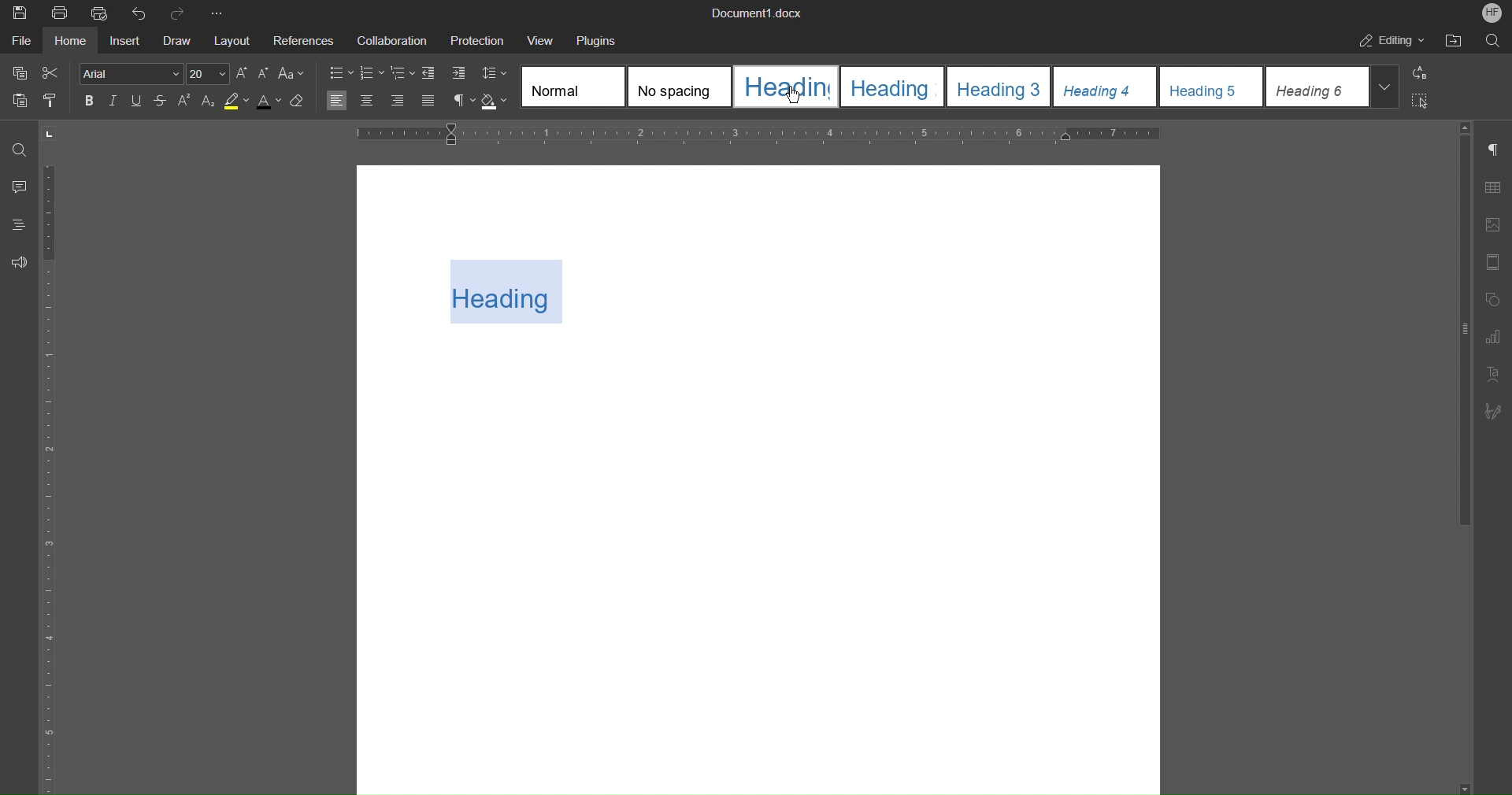 This screenshot has width=1512, height=795. I want to click on No spacing, so click(684, 86).